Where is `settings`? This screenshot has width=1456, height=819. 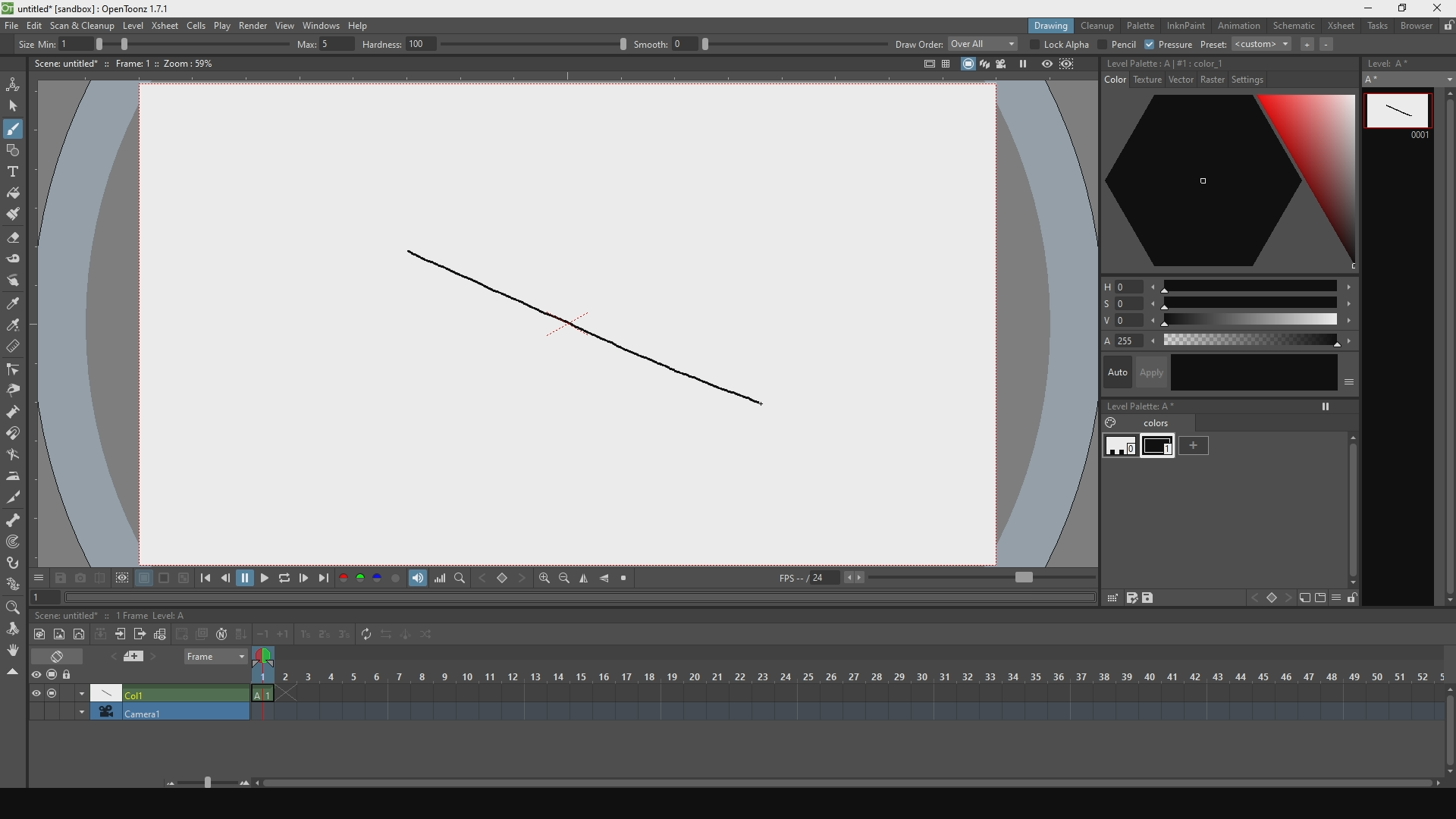
settings is located at coordinates (1255, 80).